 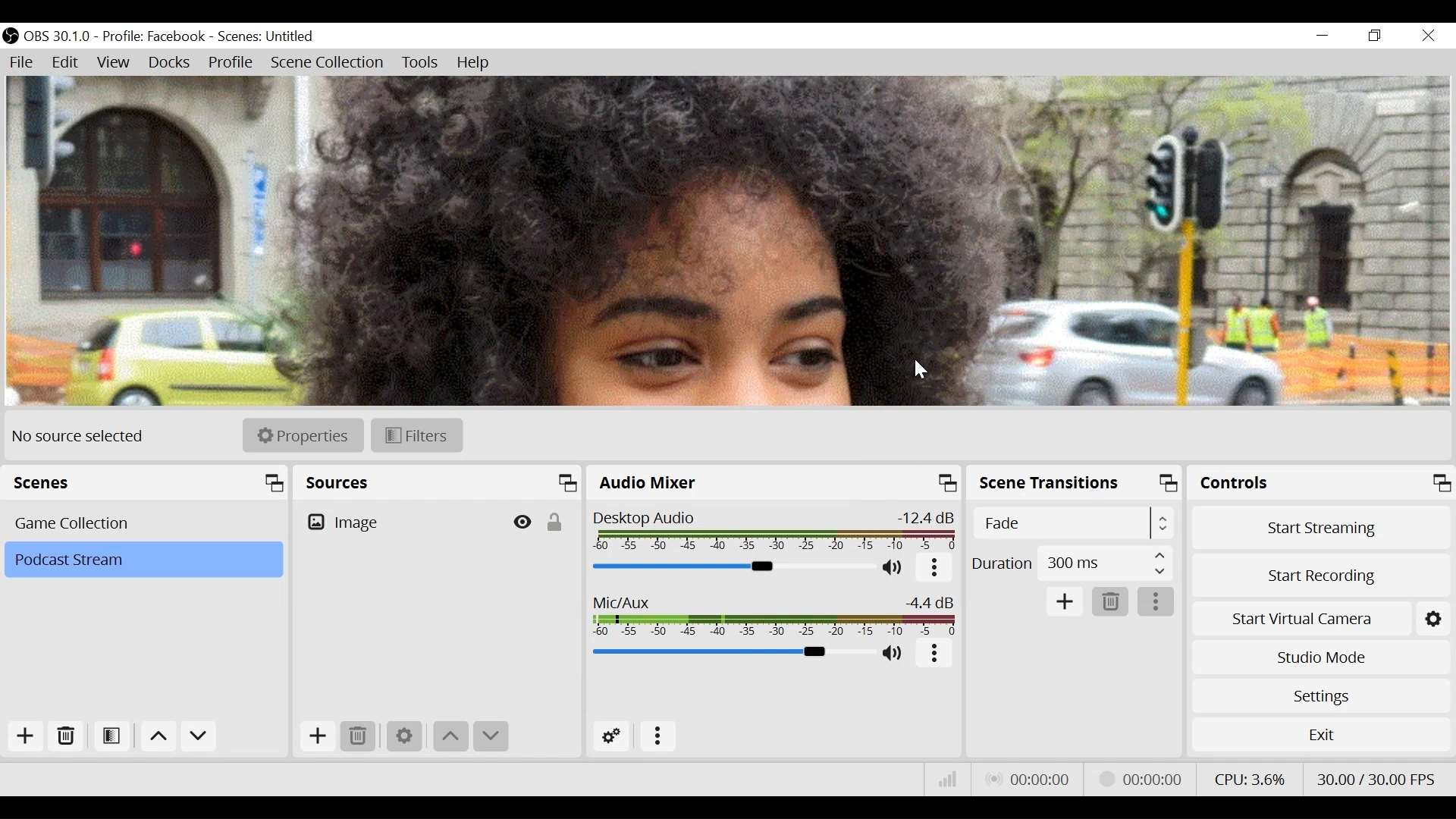 I want to click on Move down, so click(x=489, y=736).